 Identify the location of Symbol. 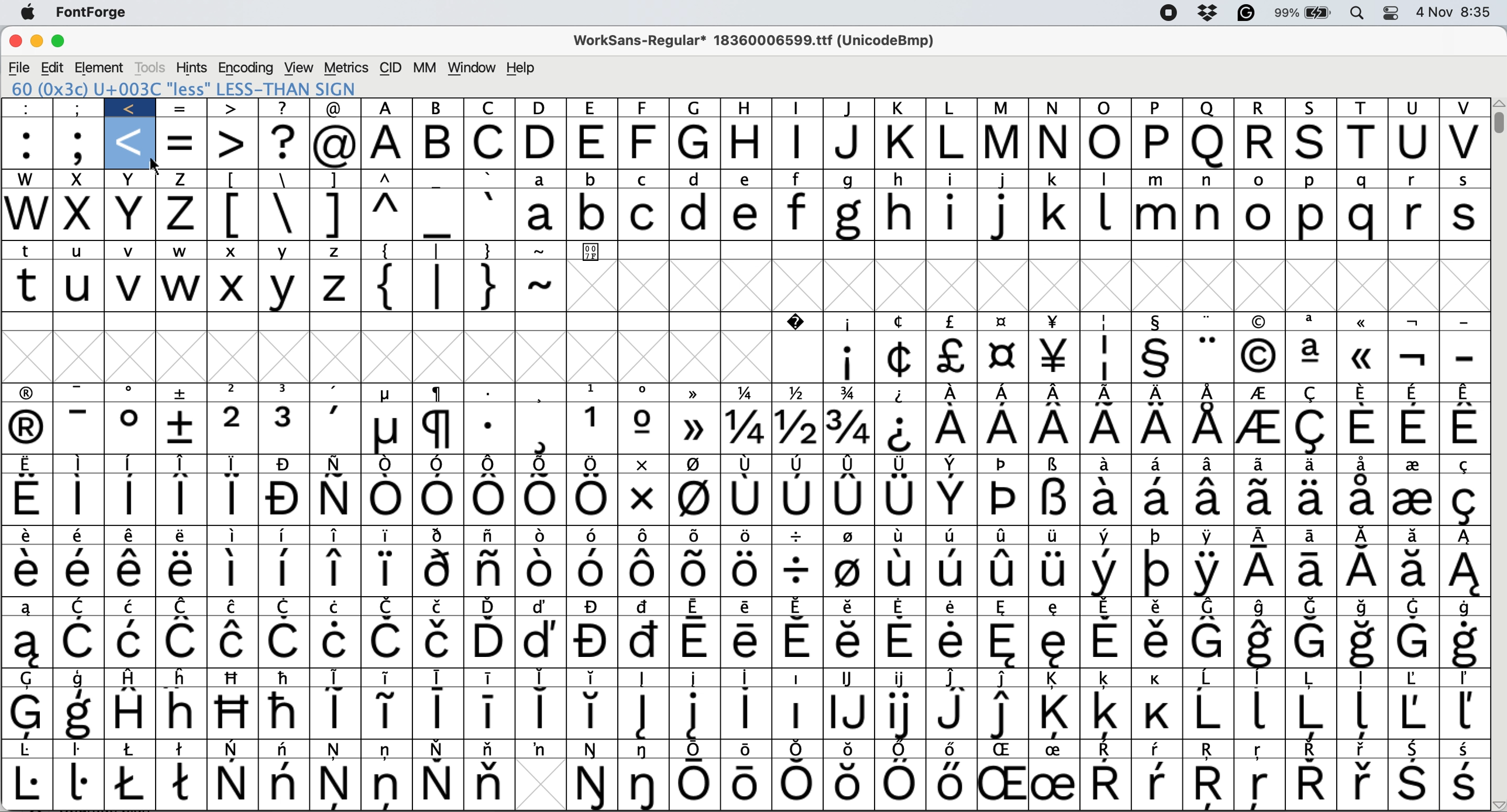
(1108, 643).